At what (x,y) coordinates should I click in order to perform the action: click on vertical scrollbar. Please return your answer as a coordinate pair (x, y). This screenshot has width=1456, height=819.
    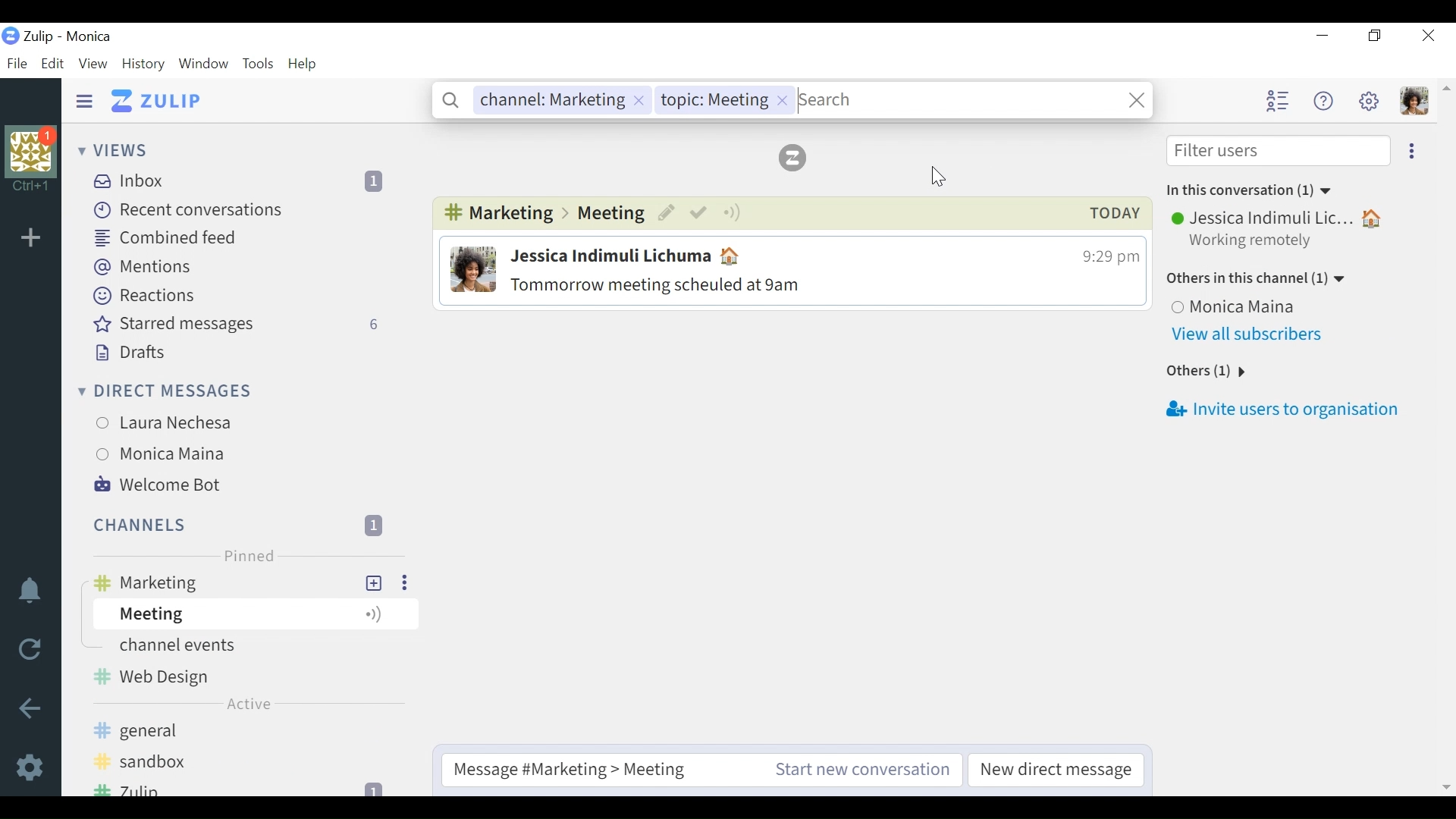
    Looking at the image, I should click on (1446, 441).